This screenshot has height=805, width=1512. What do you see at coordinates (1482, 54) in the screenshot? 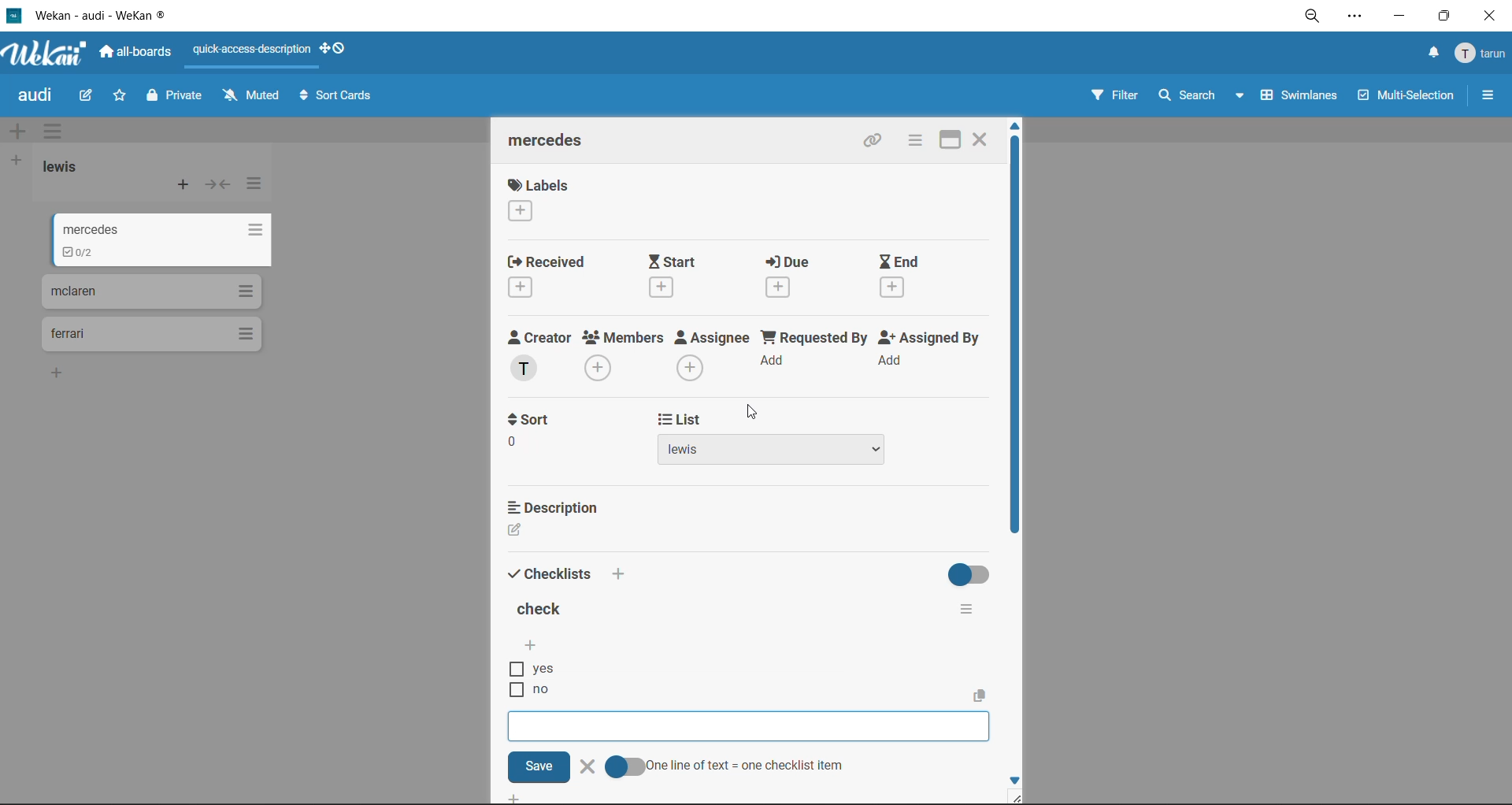
I see `menu` at bounding box center [1482, 54].